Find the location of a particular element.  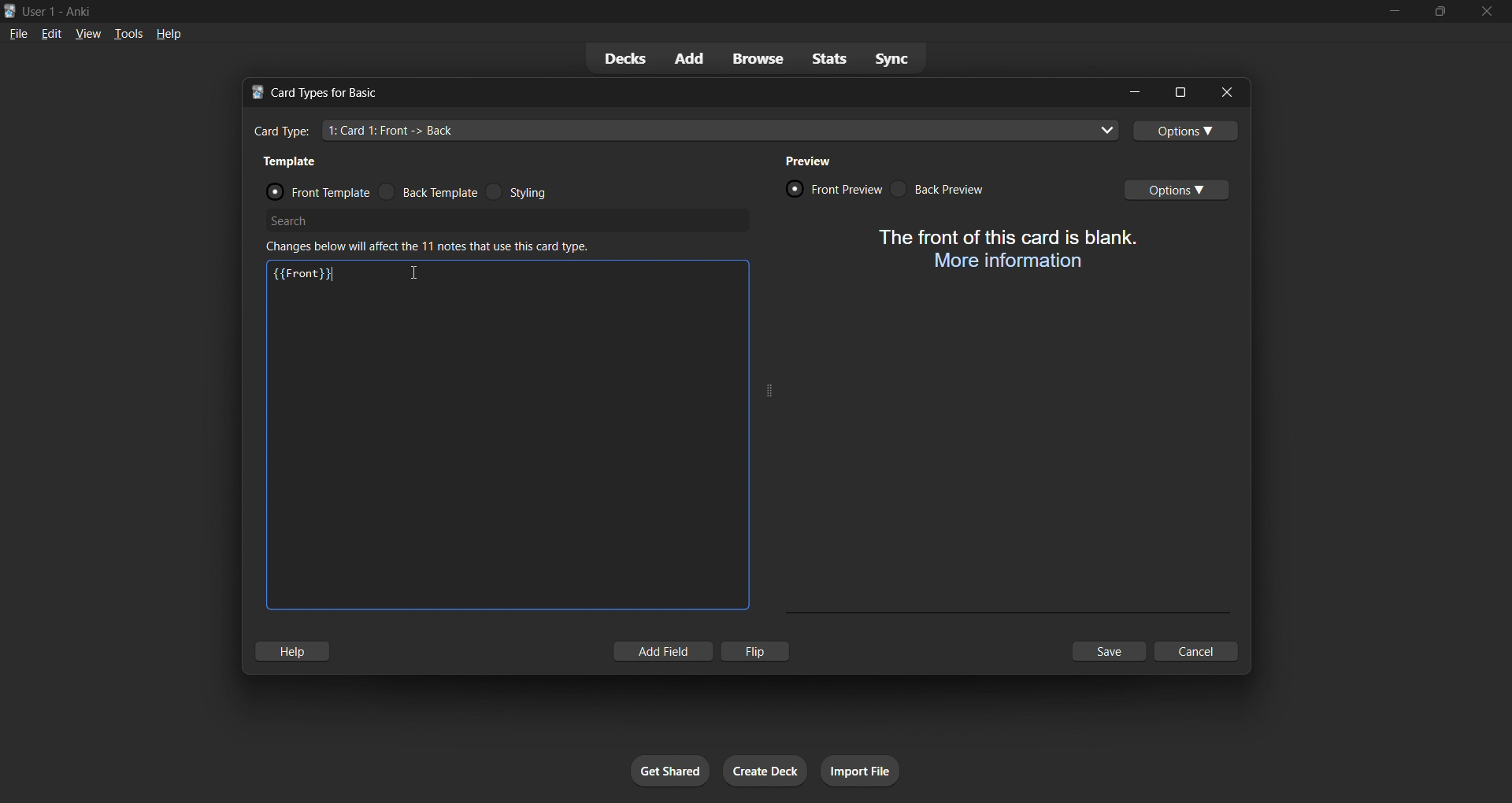

options toggle is located at coordinates (1188, 132).